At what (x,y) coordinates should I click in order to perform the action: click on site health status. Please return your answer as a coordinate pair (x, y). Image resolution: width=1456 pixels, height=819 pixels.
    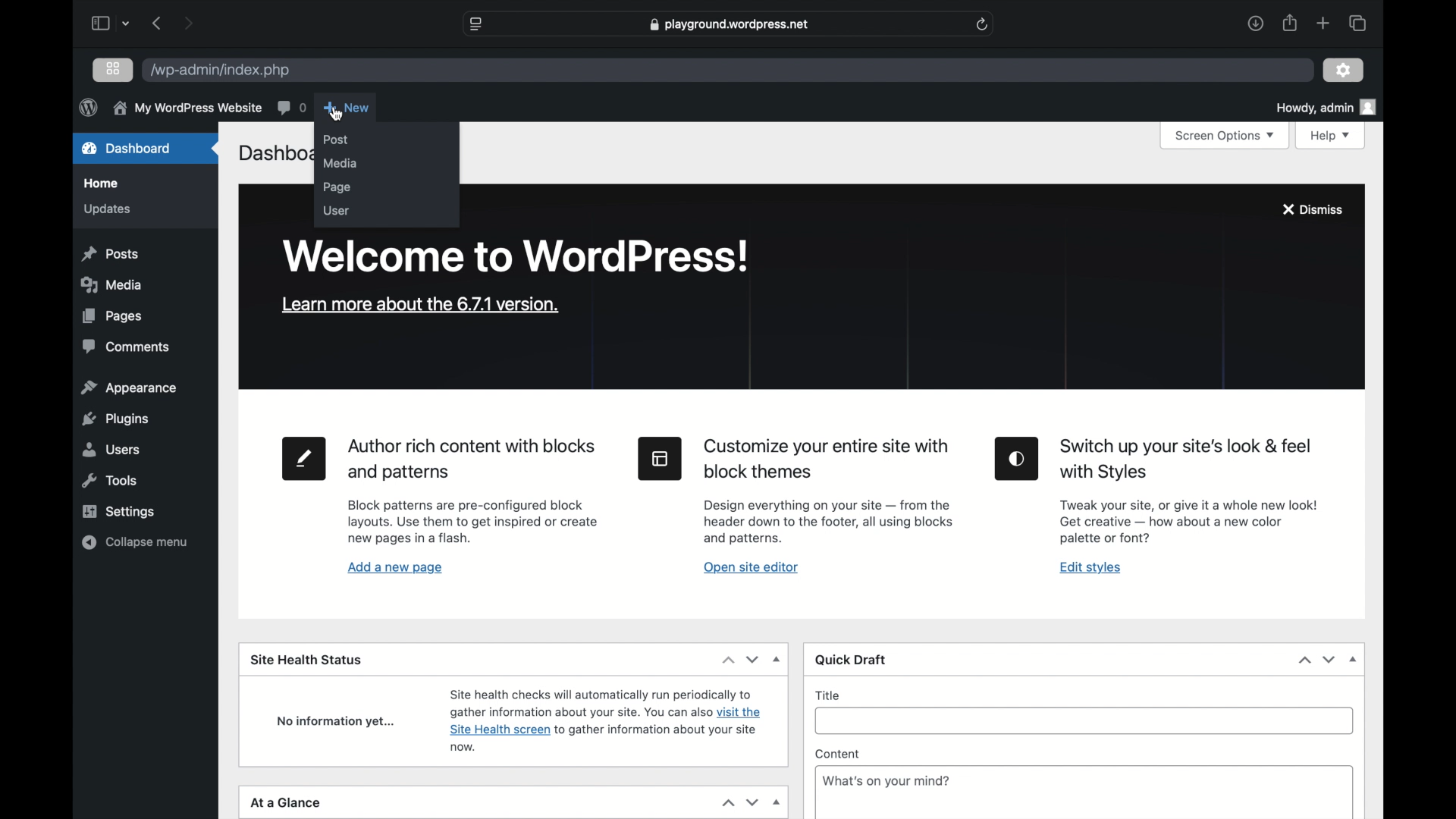
    Looking at the image, I should click on (306, 659).